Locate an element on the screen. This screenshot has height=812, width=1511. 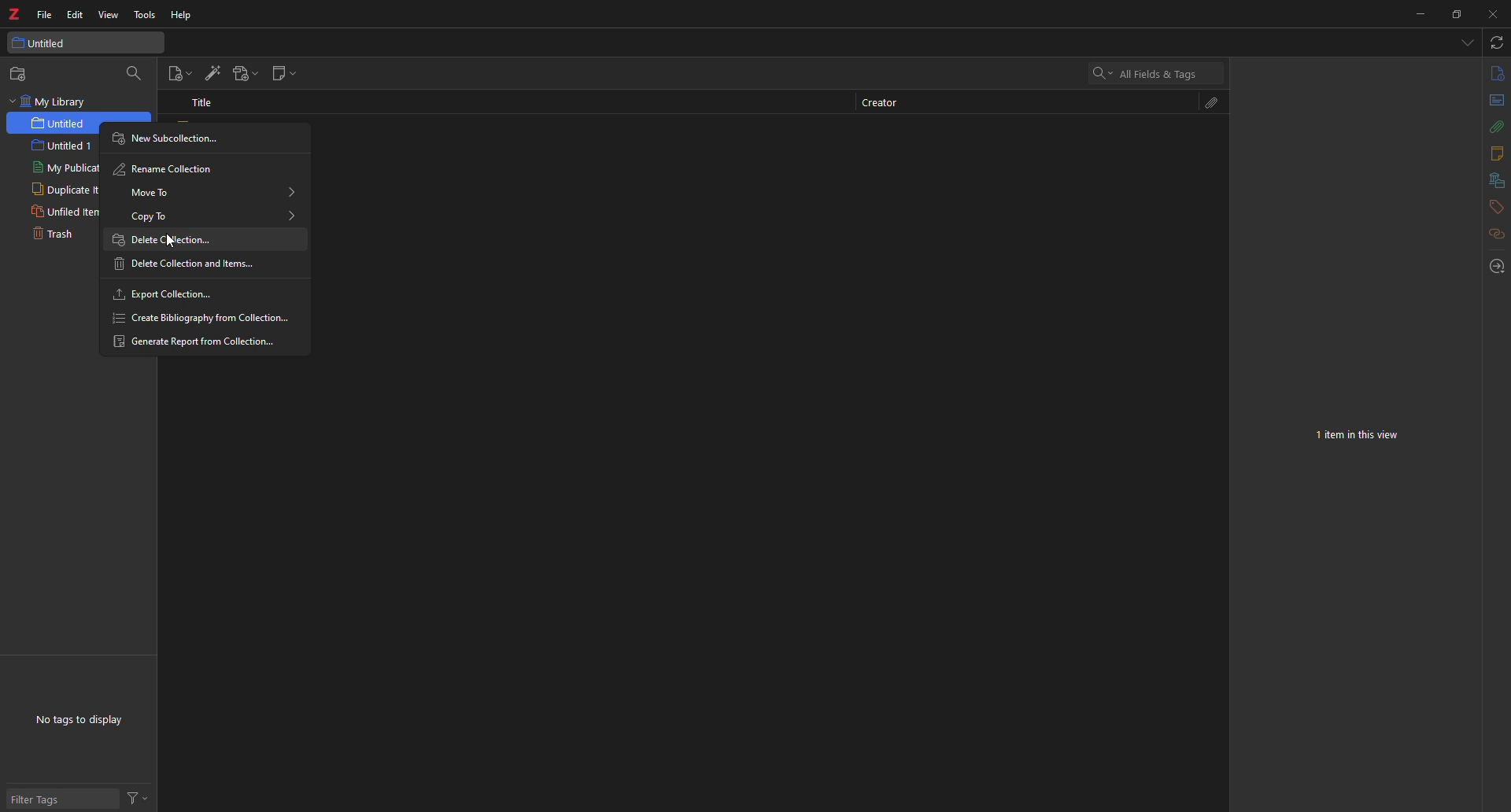
search is located at coordinates (139, 73).